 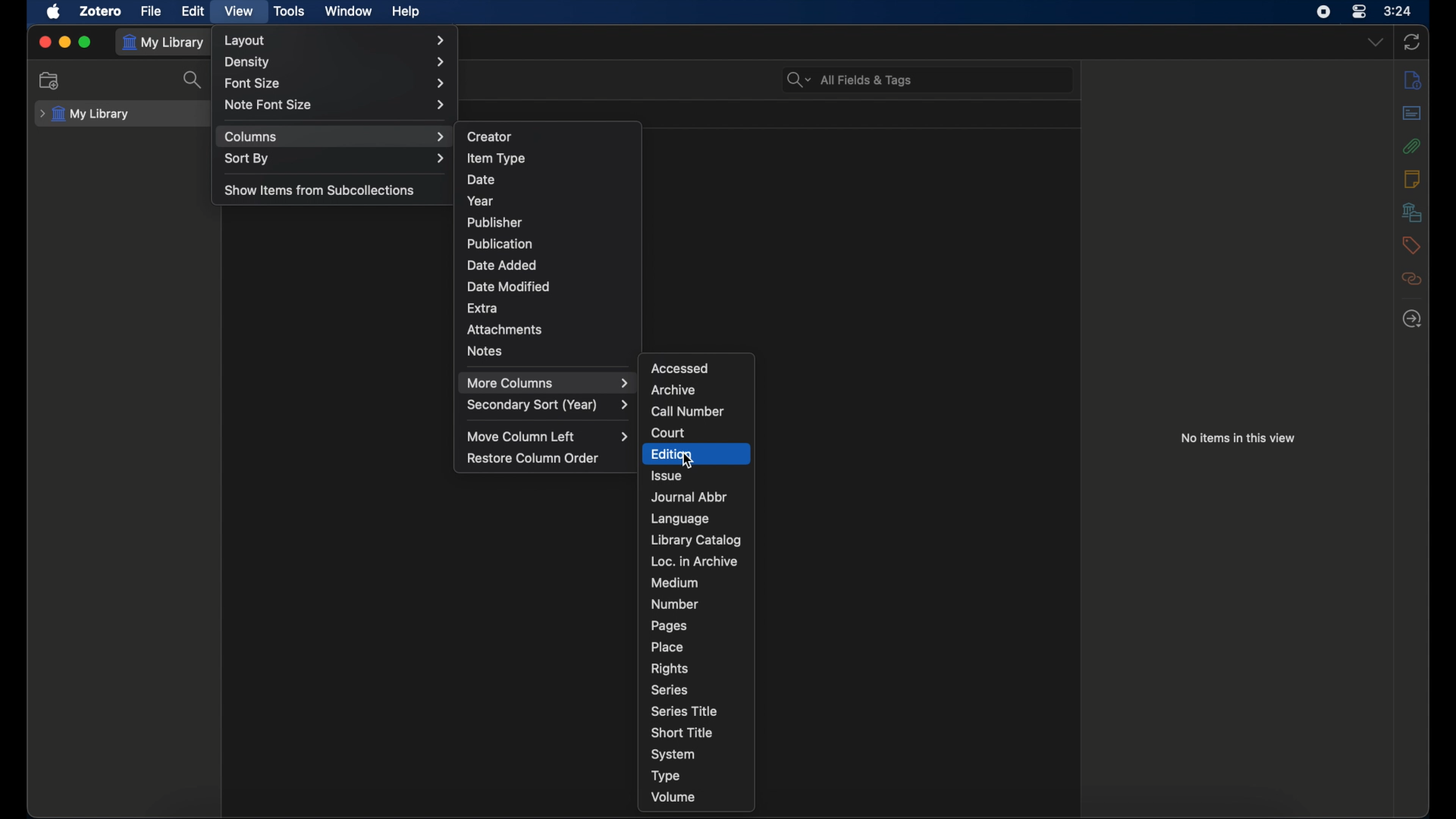 What do you see at coordinates (665, 776) in the screenshot?
I see `type` at bounding box center [665, 776].